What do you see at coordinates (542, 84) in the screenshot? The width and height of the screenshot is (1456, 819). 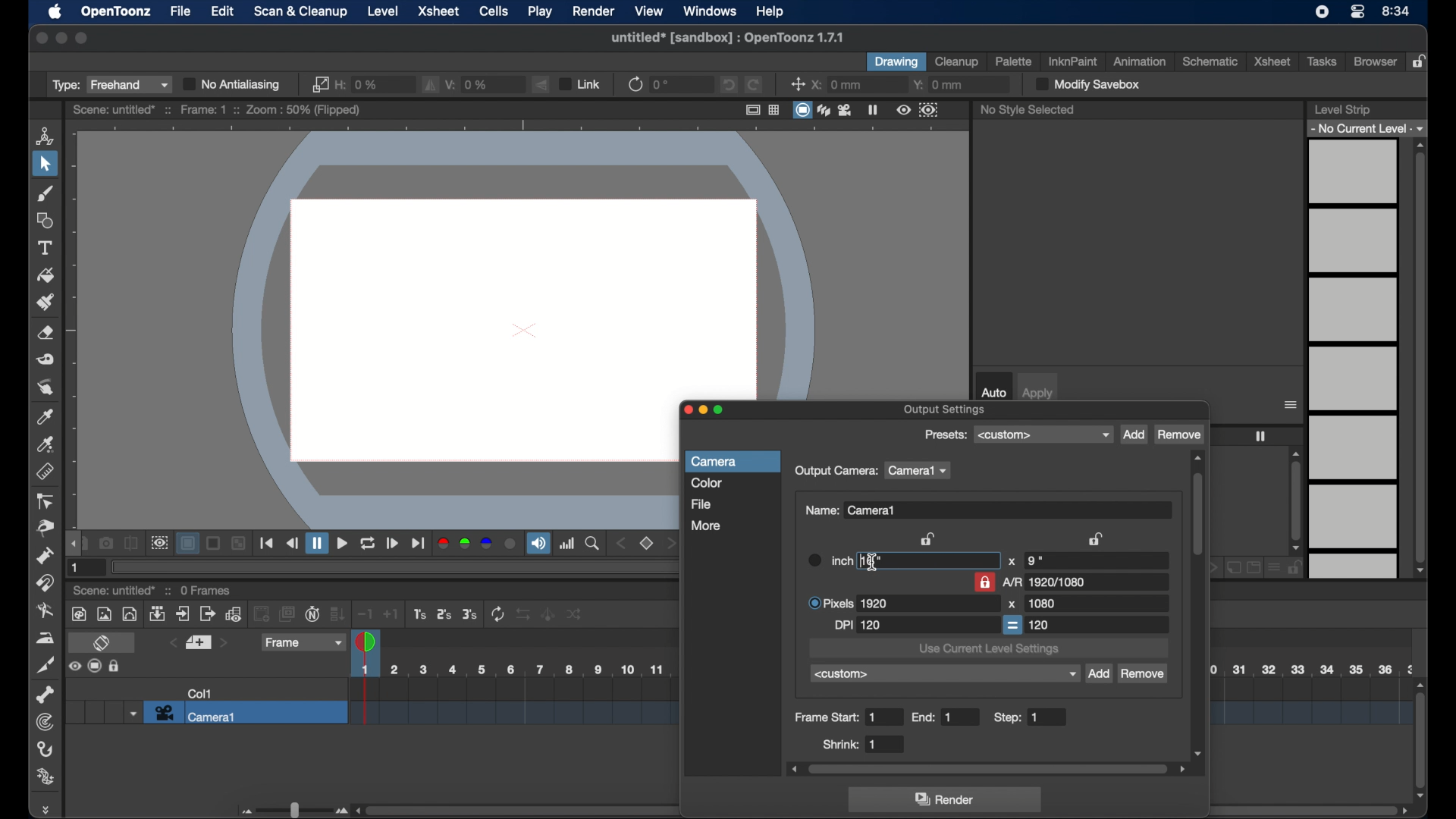 I see `flip vertically` at bounding box center [542, 84].